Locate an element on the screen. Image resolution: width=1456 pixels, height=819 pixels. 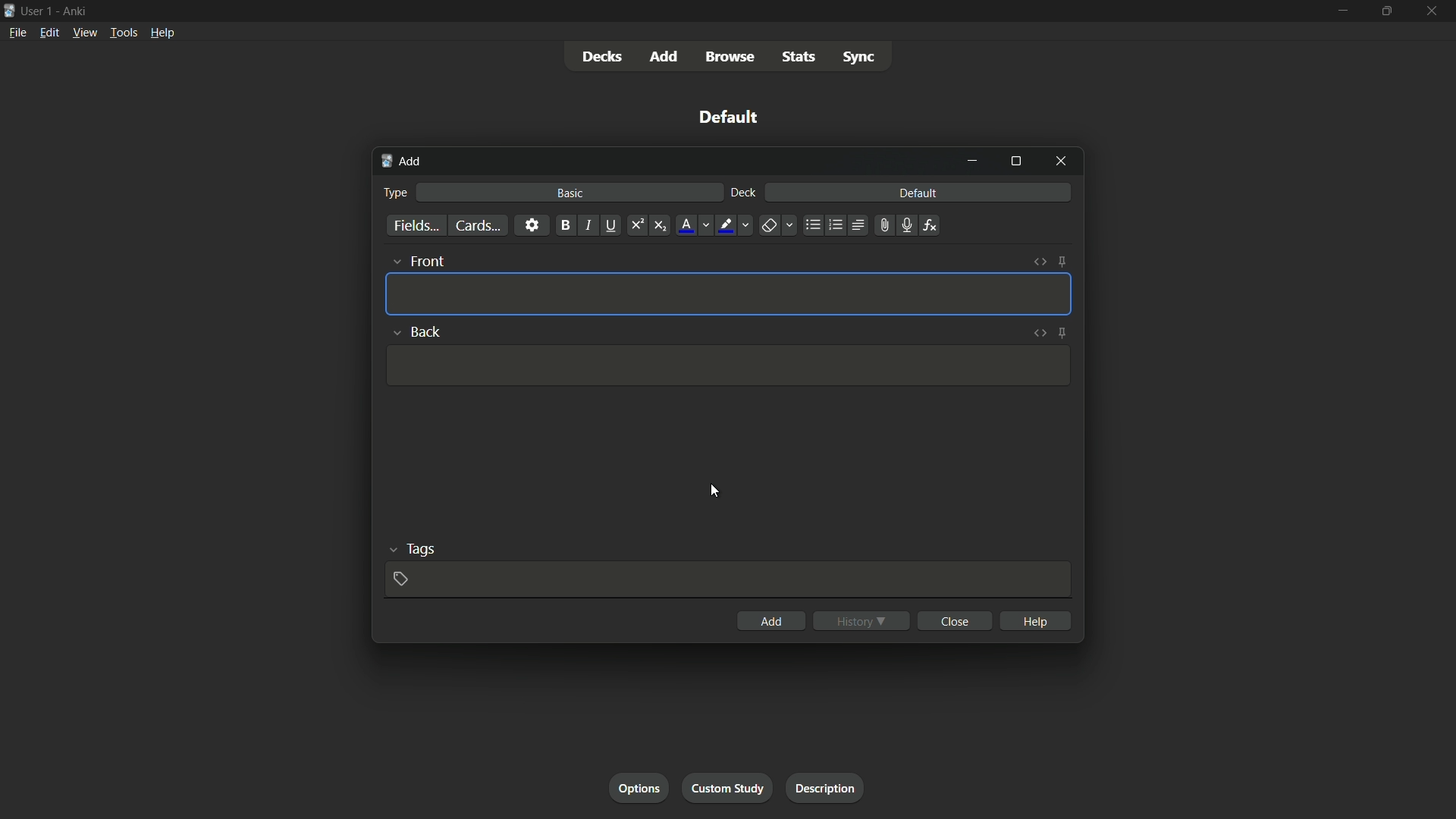
front is located at coordinates (417, 260).